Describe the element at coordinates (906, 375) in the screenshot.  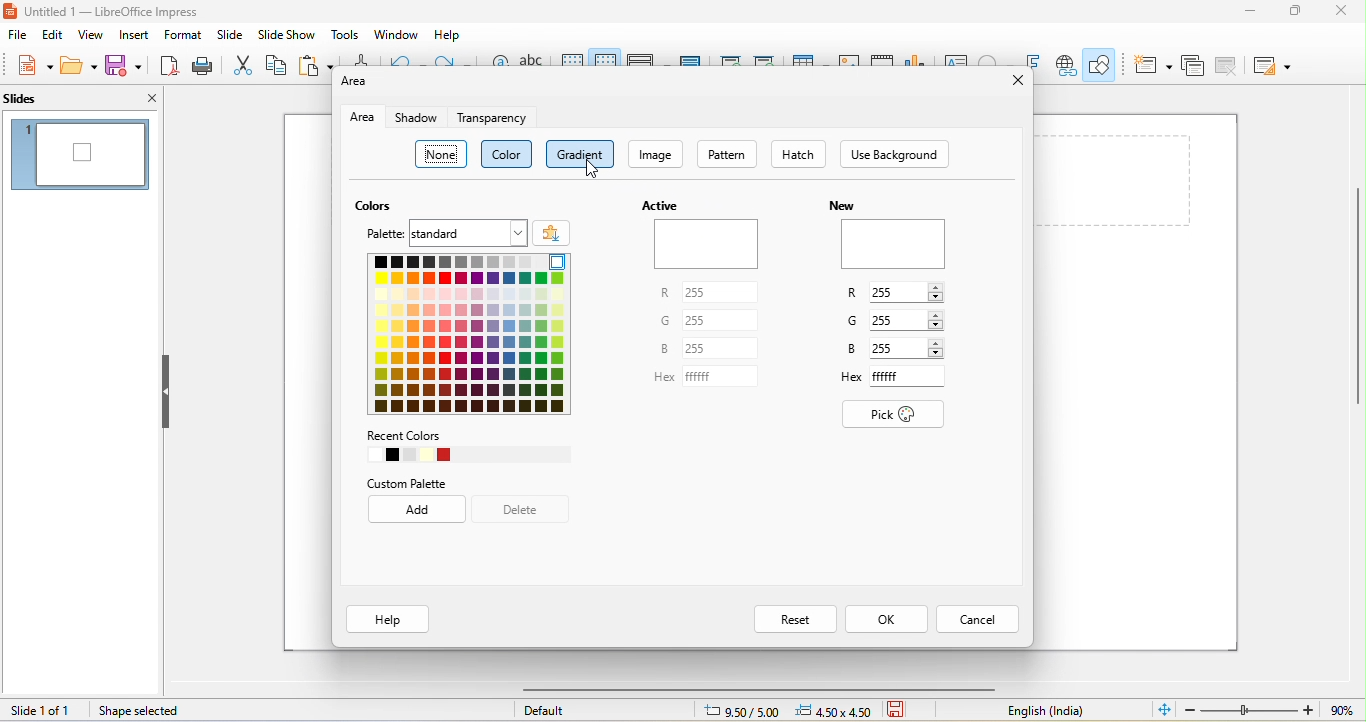
I see `hex input` at that location.